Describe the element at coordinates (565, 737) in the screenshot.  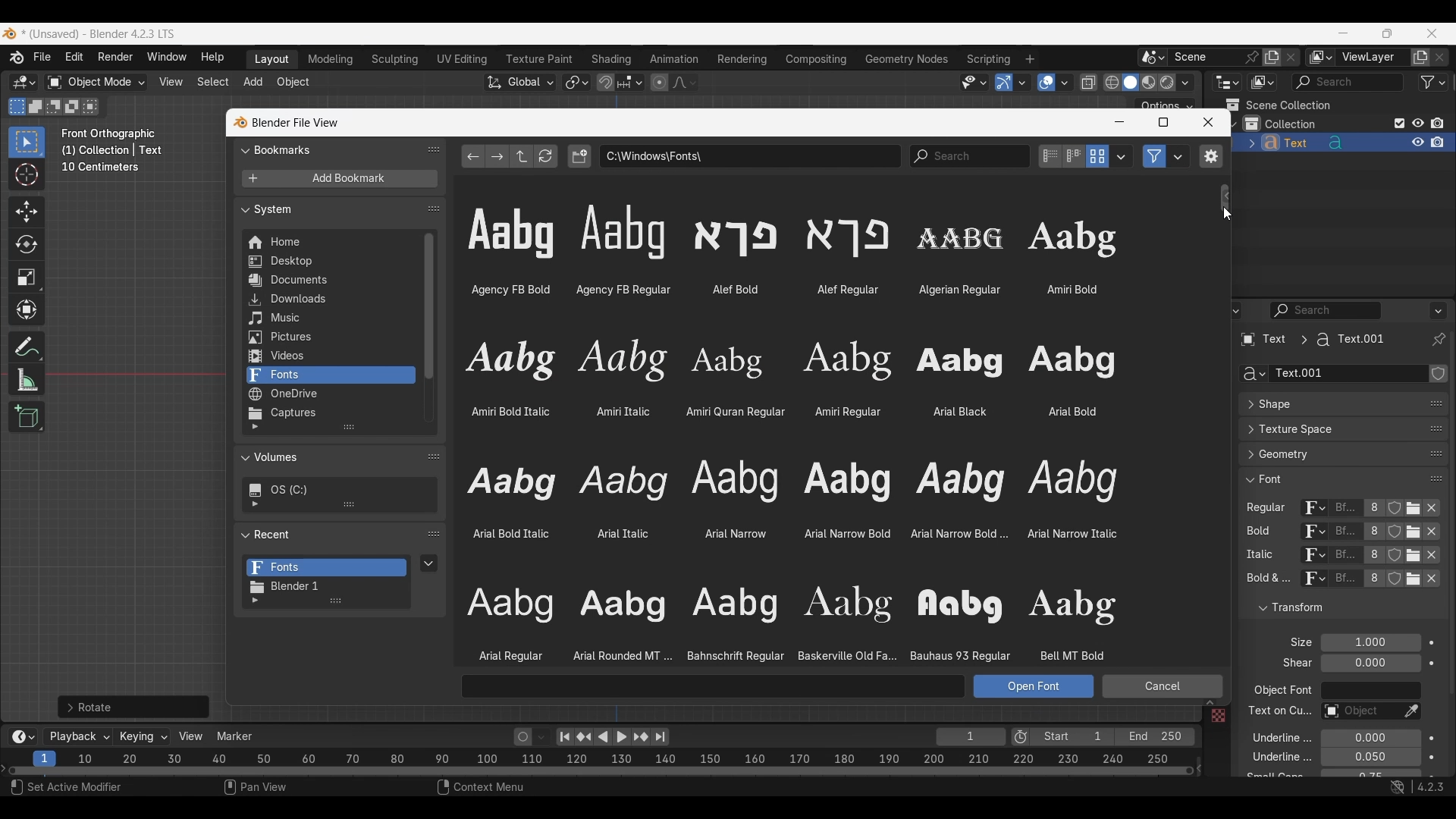
I see `Jump to endpoint` at that location.